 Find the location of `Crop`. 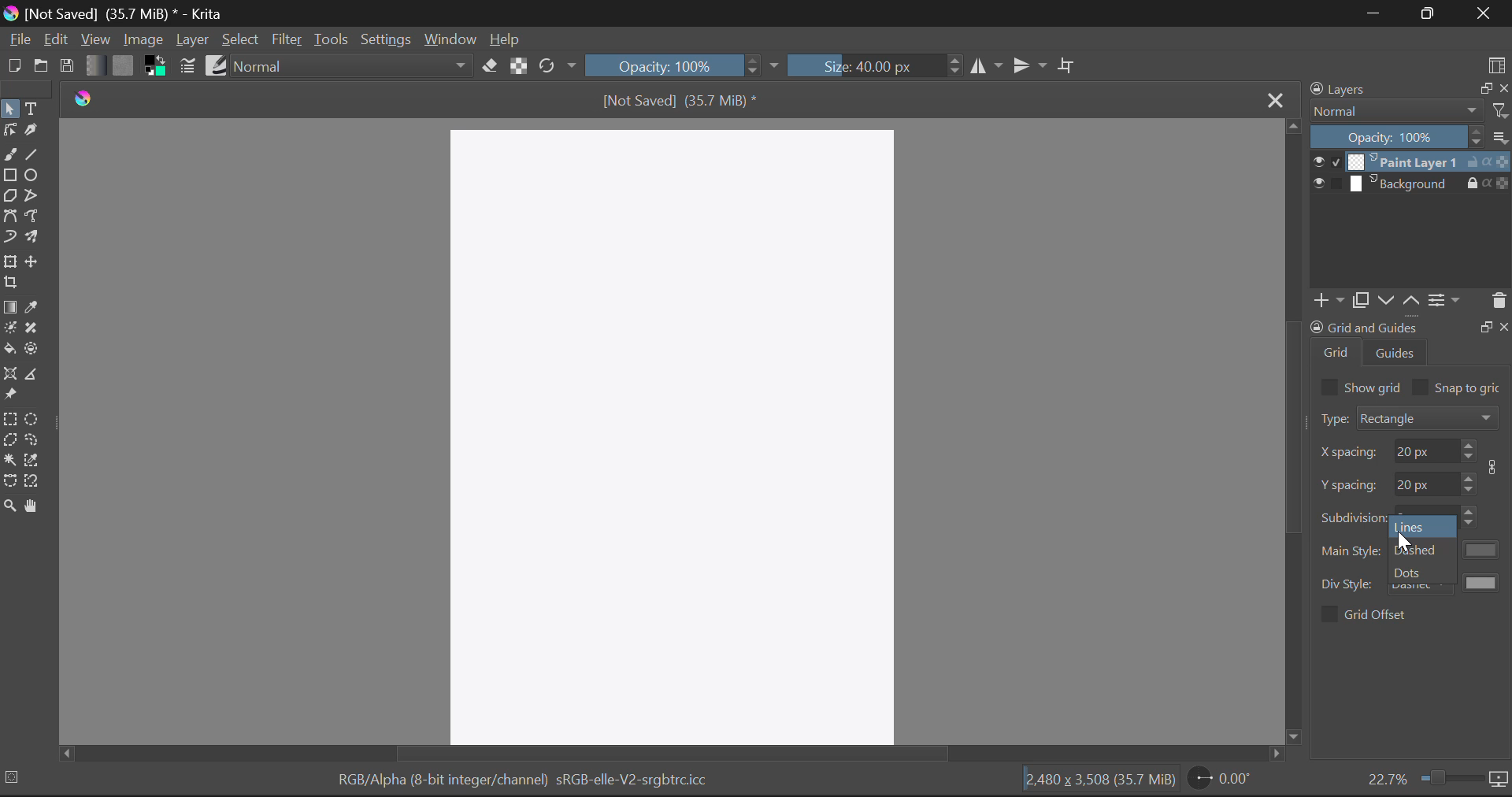

Crop is located at coordinates (1069, 65).